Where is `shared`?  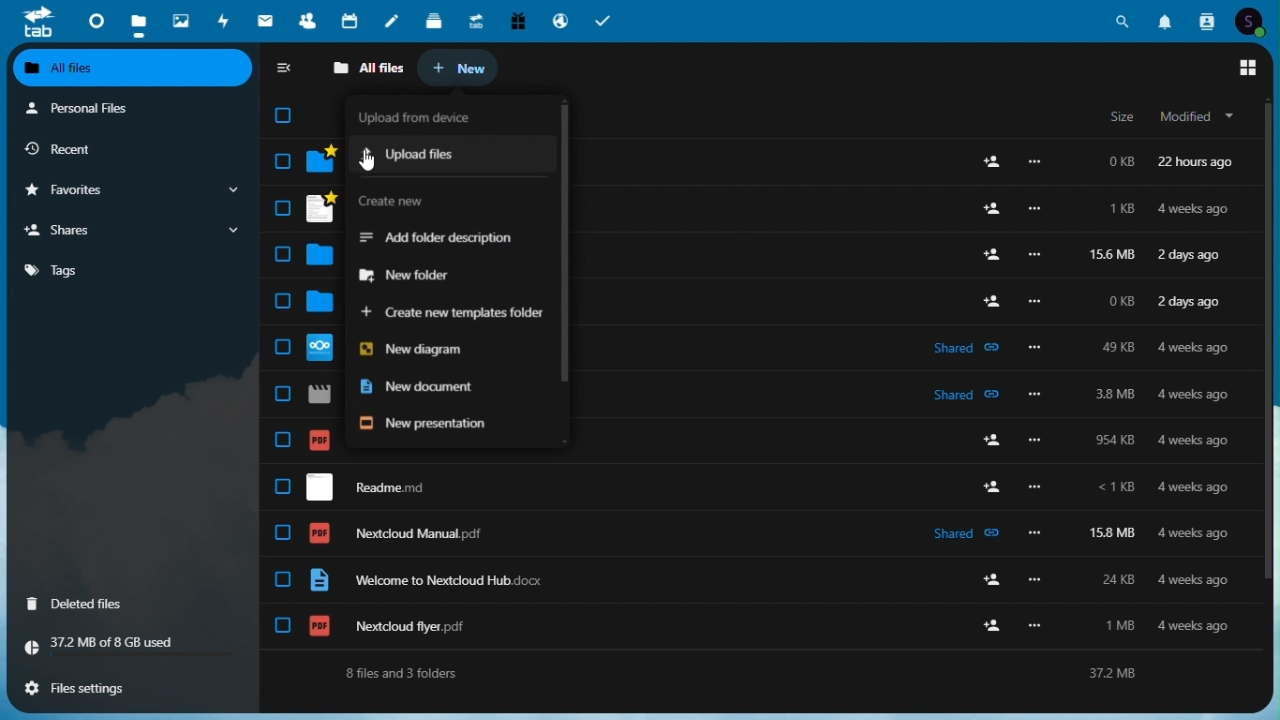 shared is located at coordinates (968, 393).